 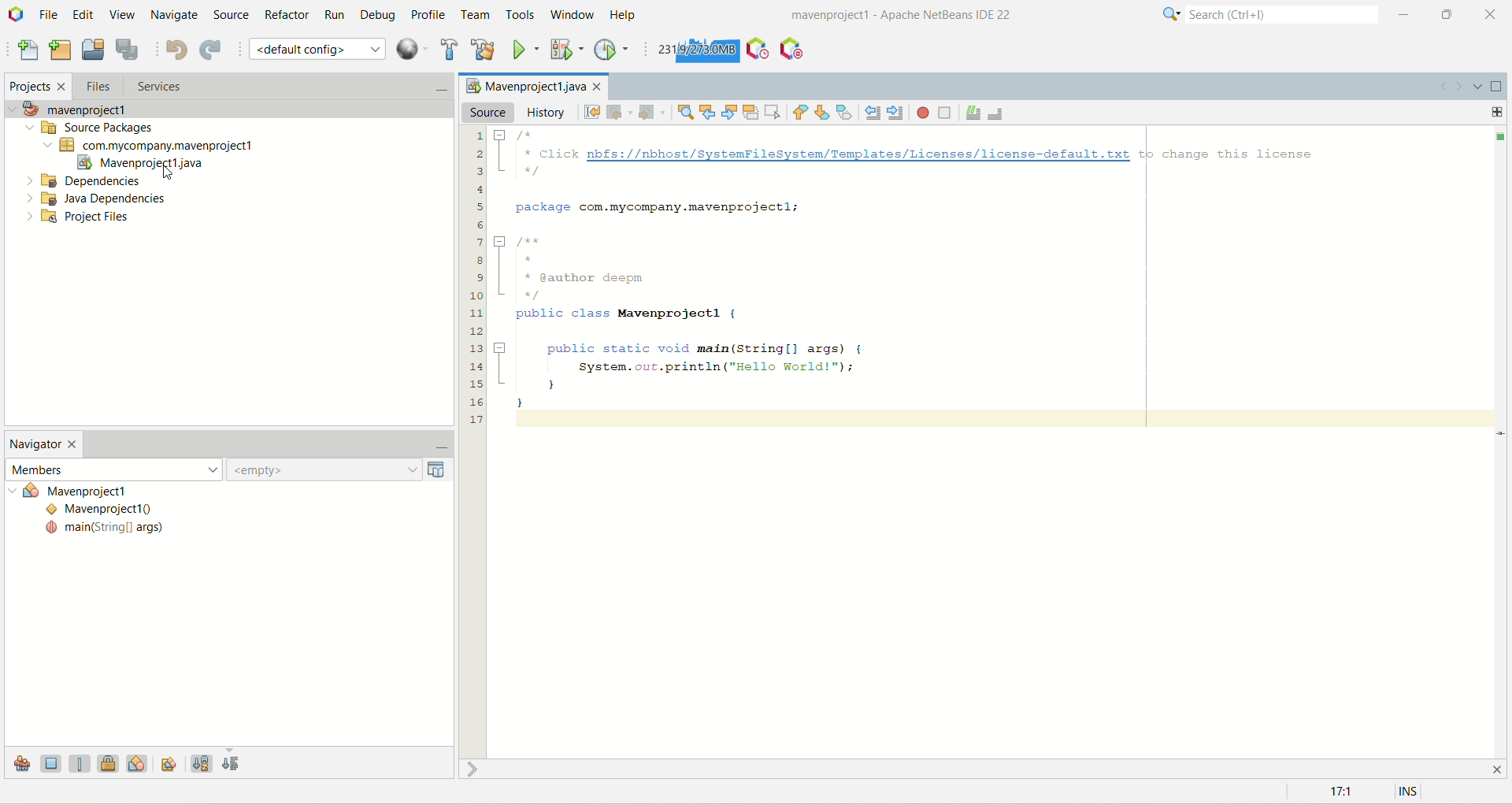 I want to click on files, so click(x=98, y=86).